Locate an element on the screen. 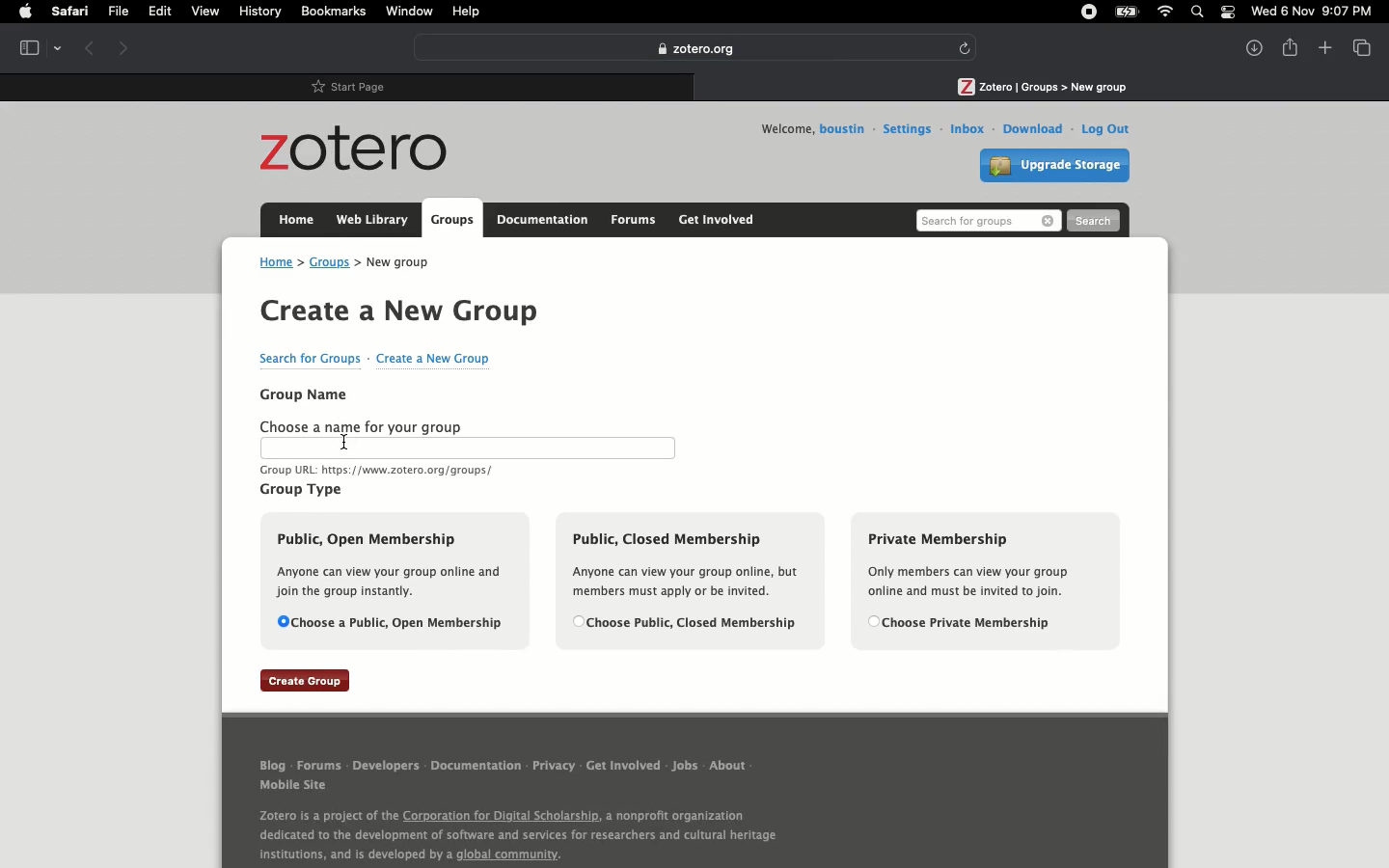 The image size is (1389, 868). Documentation is located at coordinates (477, 767).